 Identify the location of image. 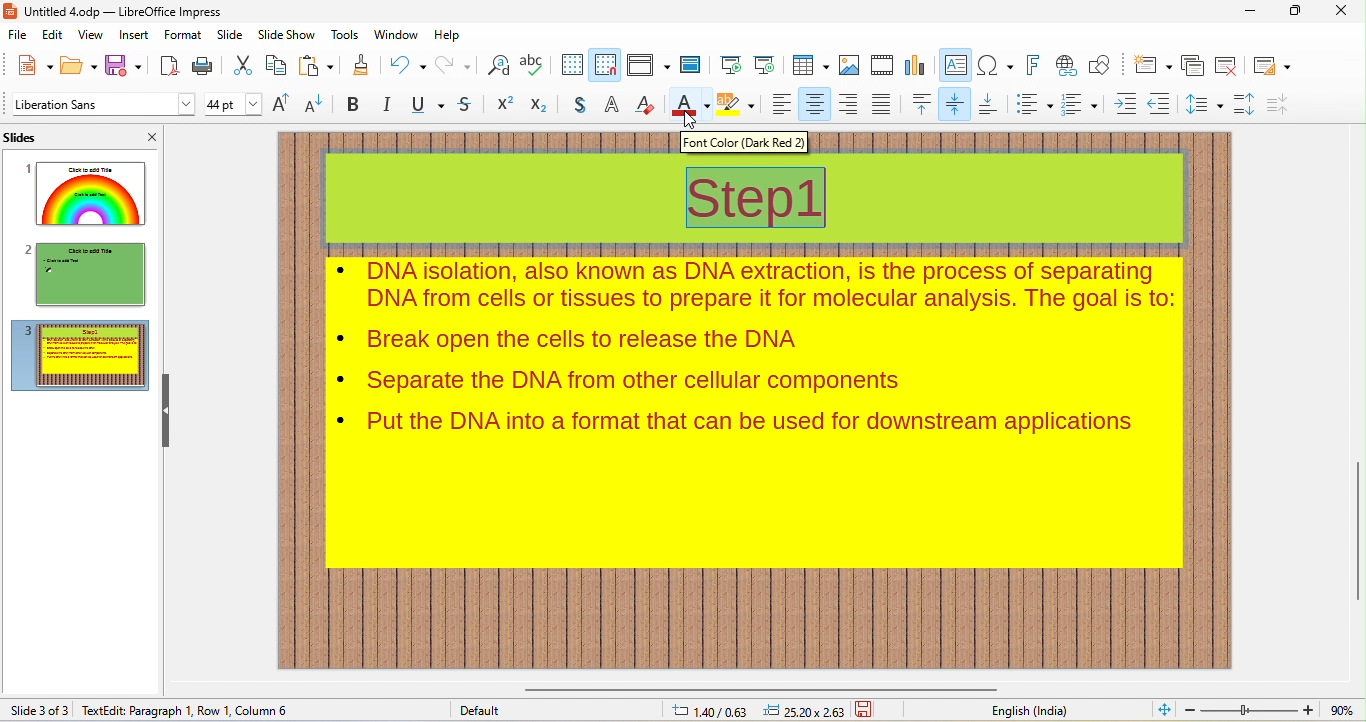
(848, 65).